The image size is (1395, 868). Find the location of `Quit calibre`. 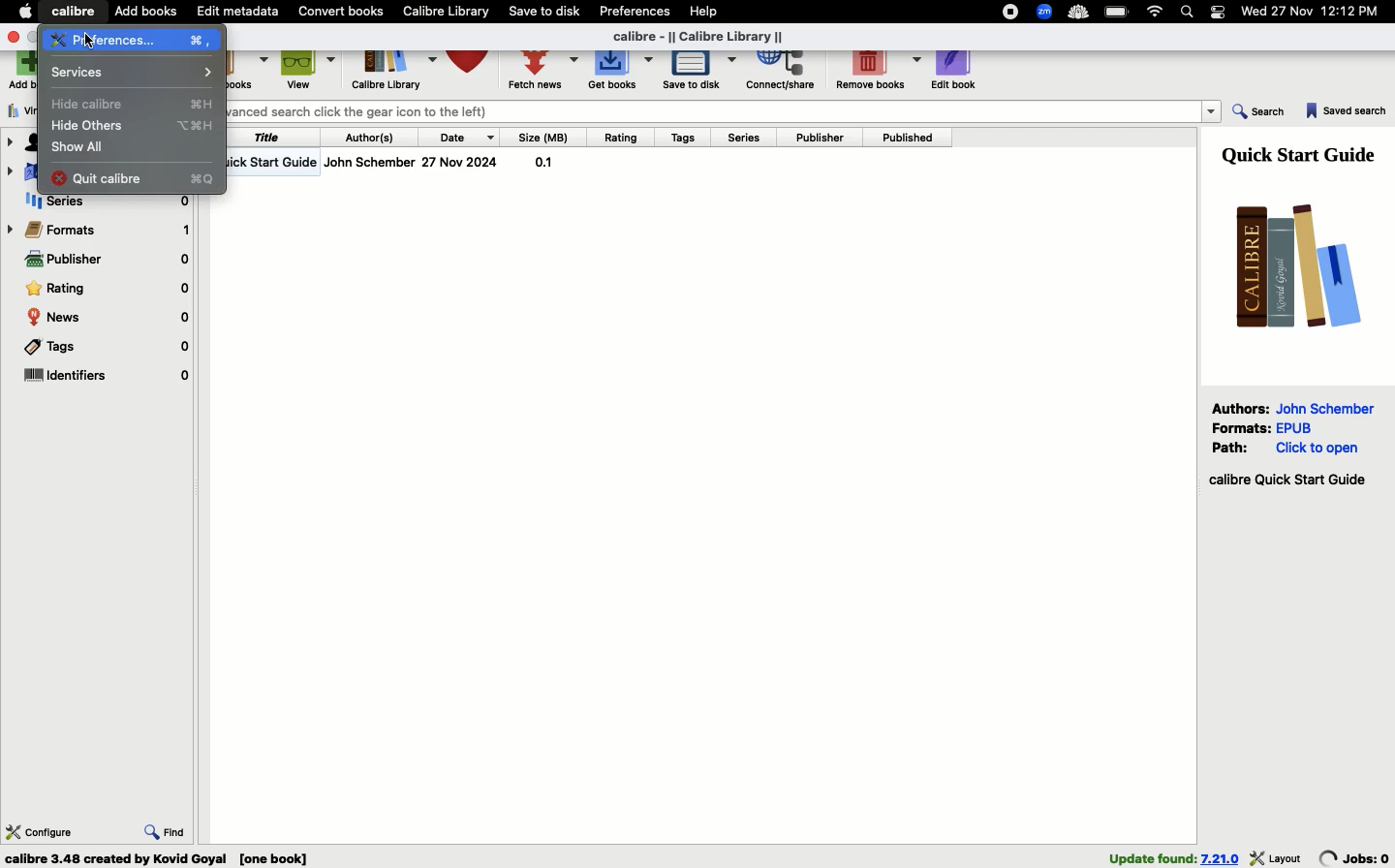

Quit calibre is located at coordinates (135, 177).